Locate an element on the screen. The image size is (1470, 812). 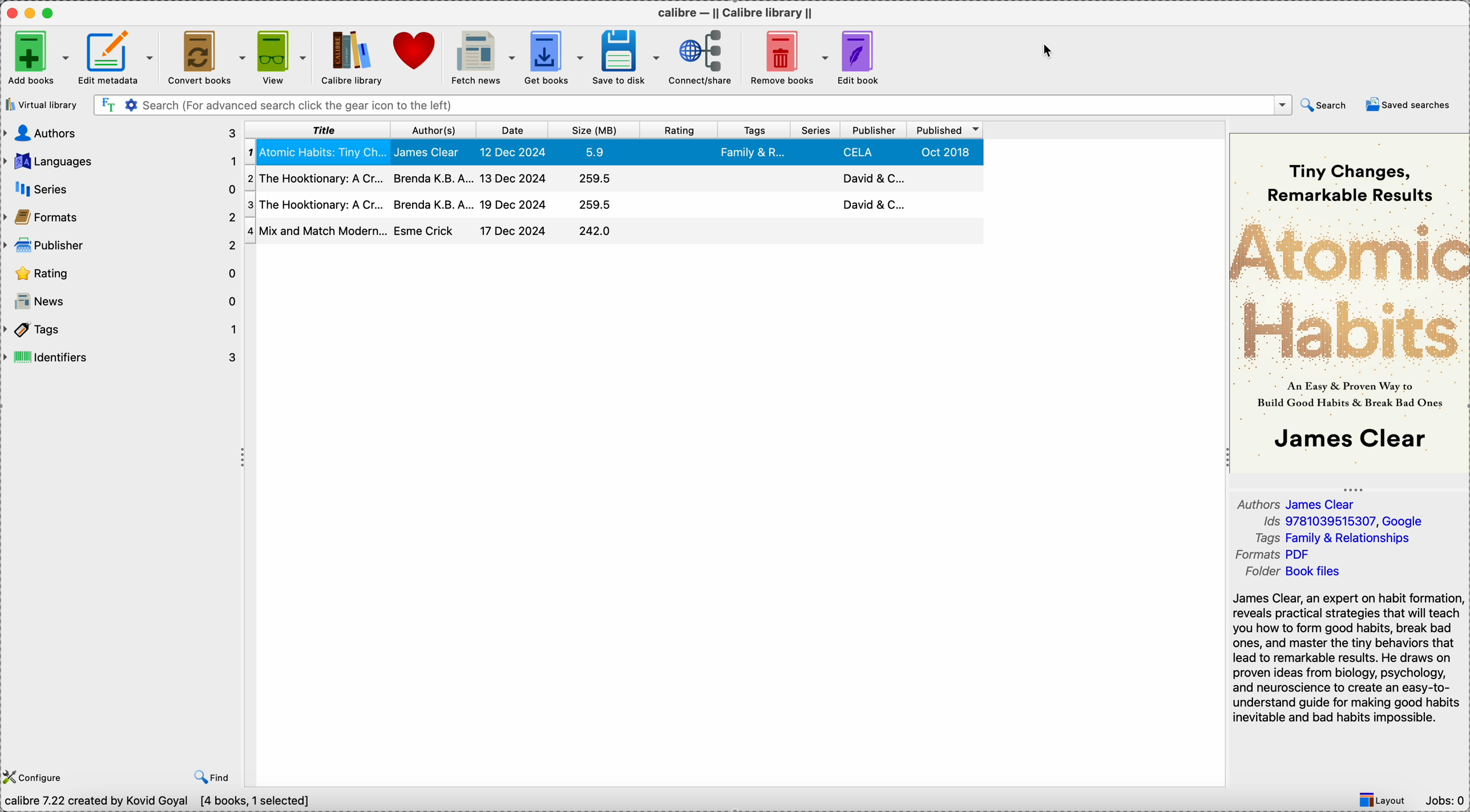
Jobs: 0 is located at coordinates (1445, 801).